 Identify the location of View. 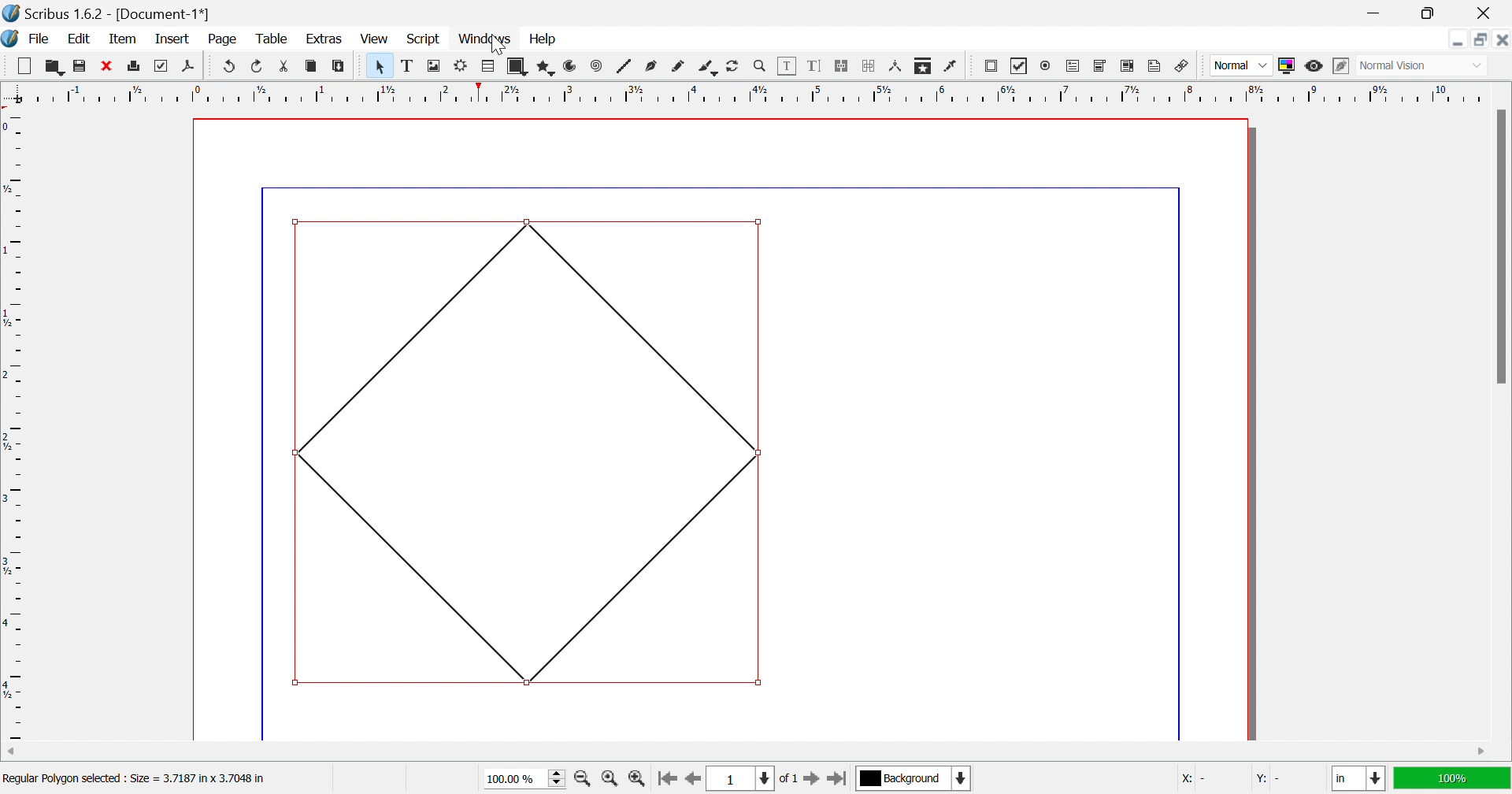
(374, 39).